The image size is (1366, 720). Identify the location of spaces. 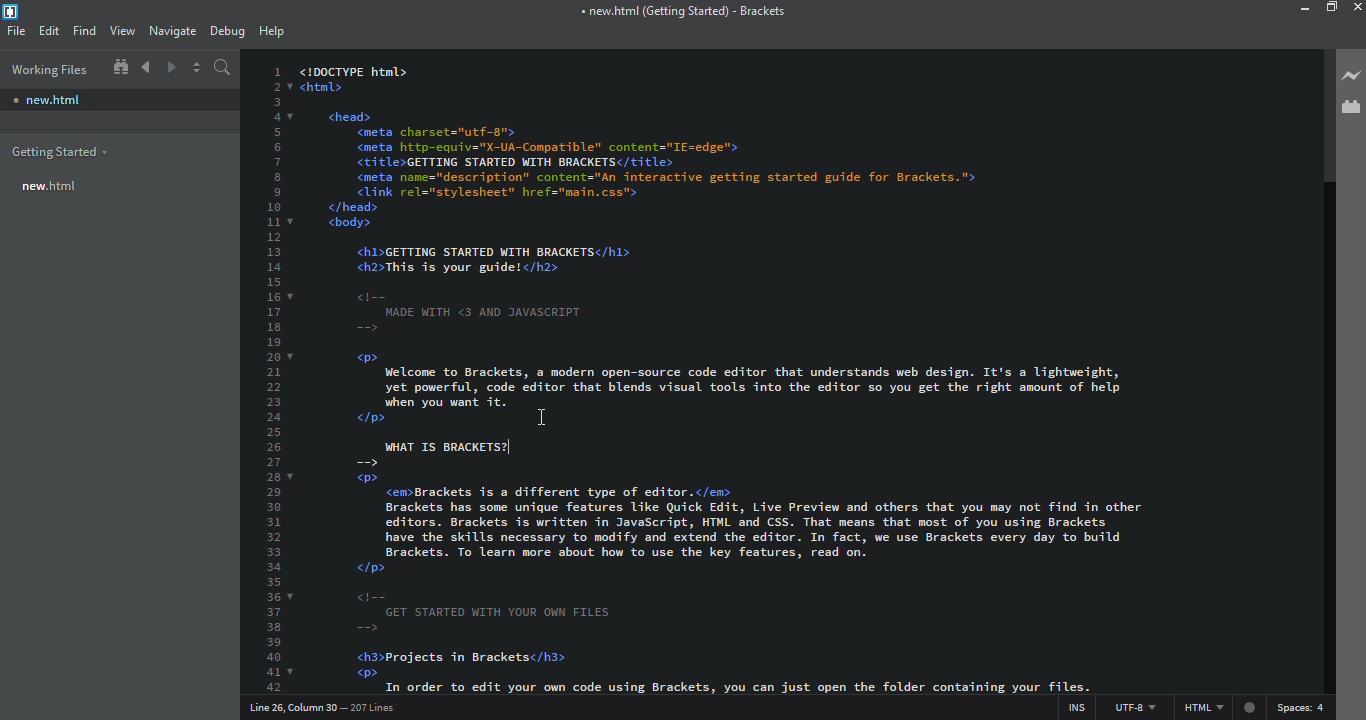
(1305, 708).